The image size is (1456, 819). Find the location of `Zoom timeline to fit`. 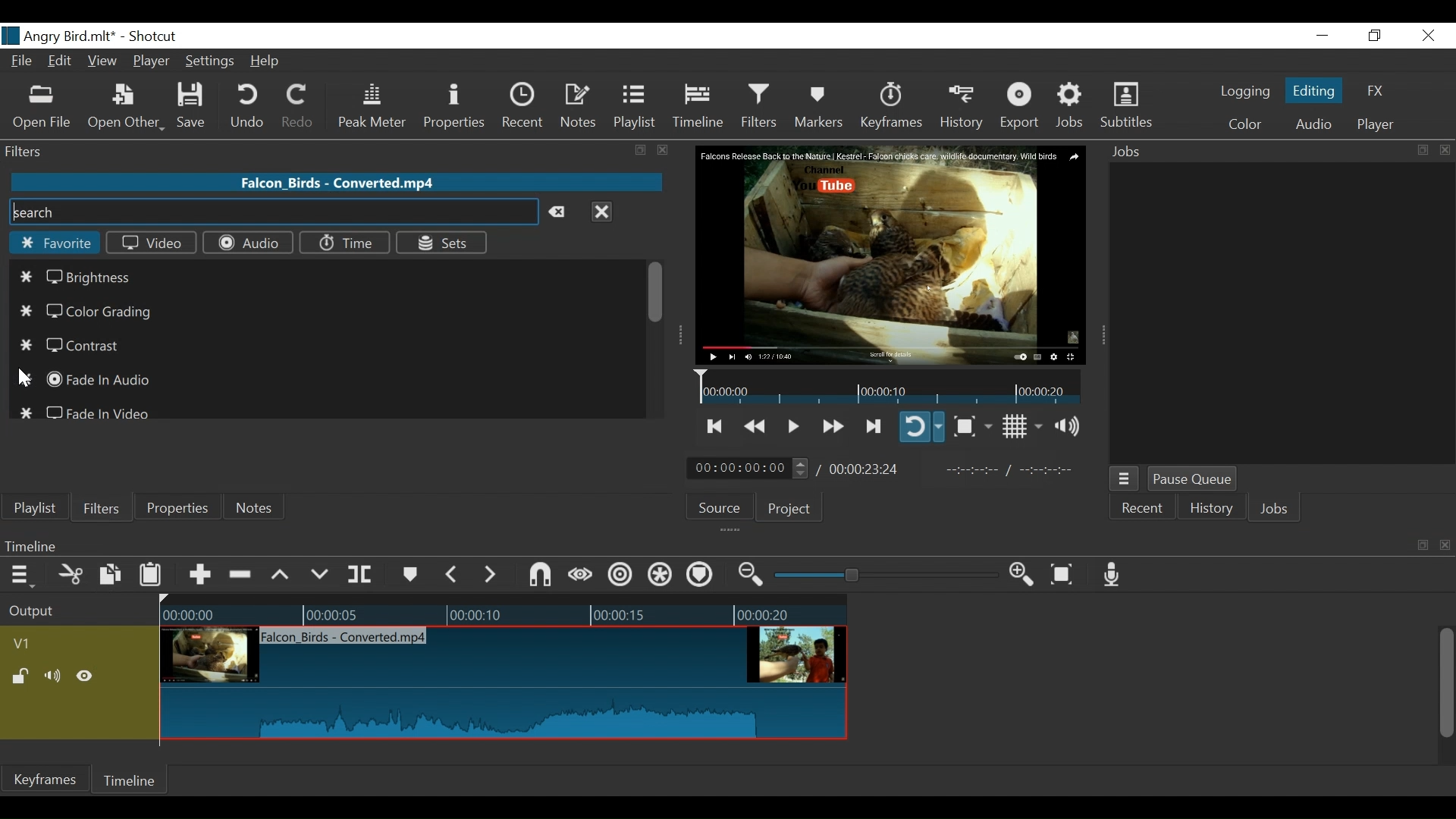

Zoom timeline to fit is located at coordinates (1068, 573).